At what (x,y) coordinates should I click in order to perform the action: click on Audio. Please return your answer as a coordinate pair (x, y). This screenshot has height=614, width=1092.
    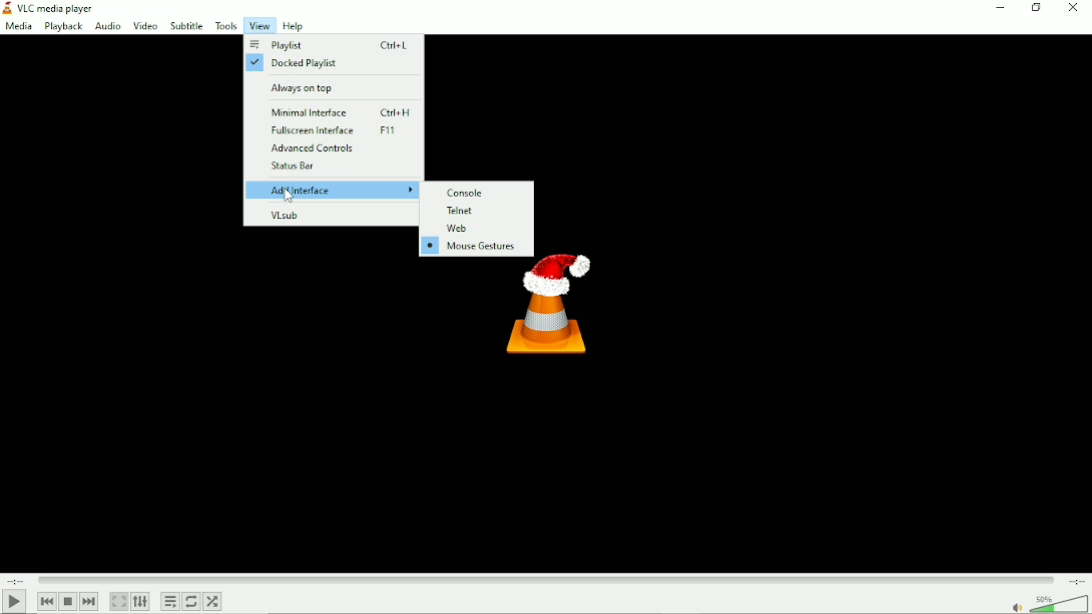
    Looking at the image, I should click on (107, 27).